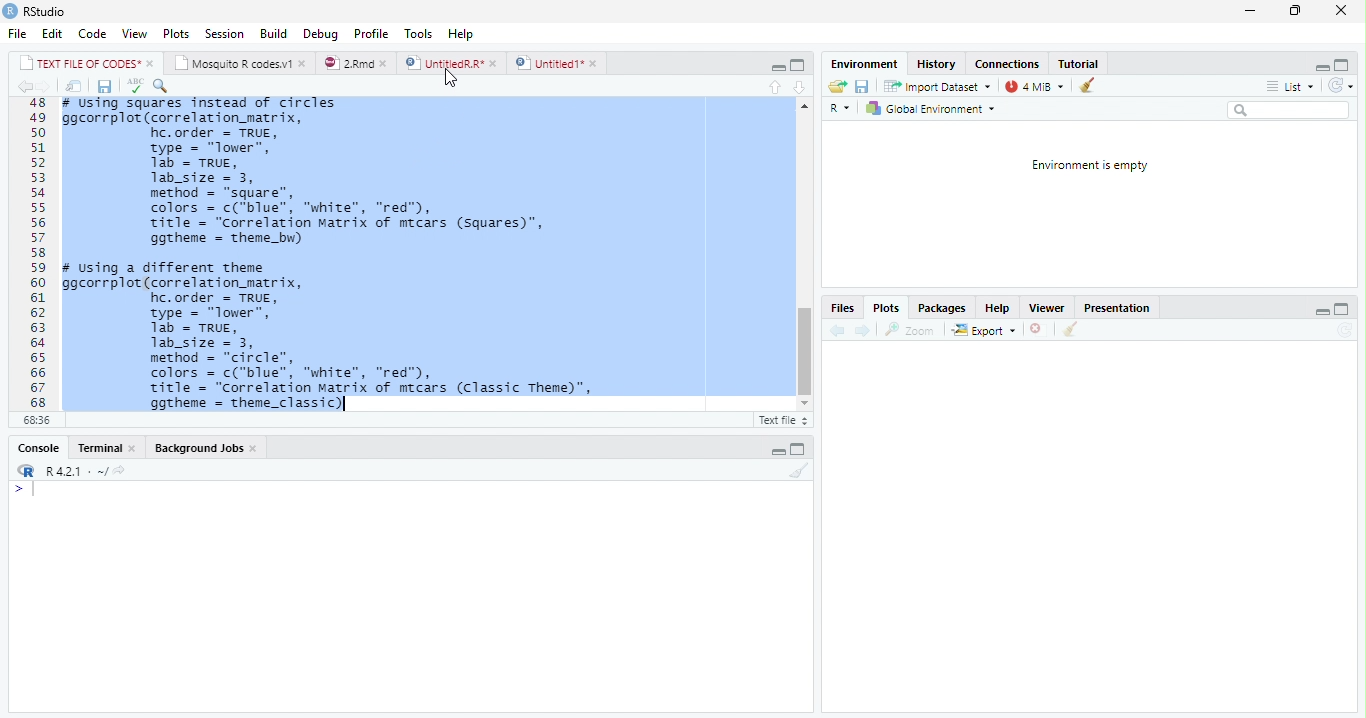 This screenshot has width=1366, height=718. Describe the element at coordinates (838, 107) in the screenshot. I see `R` at that location.